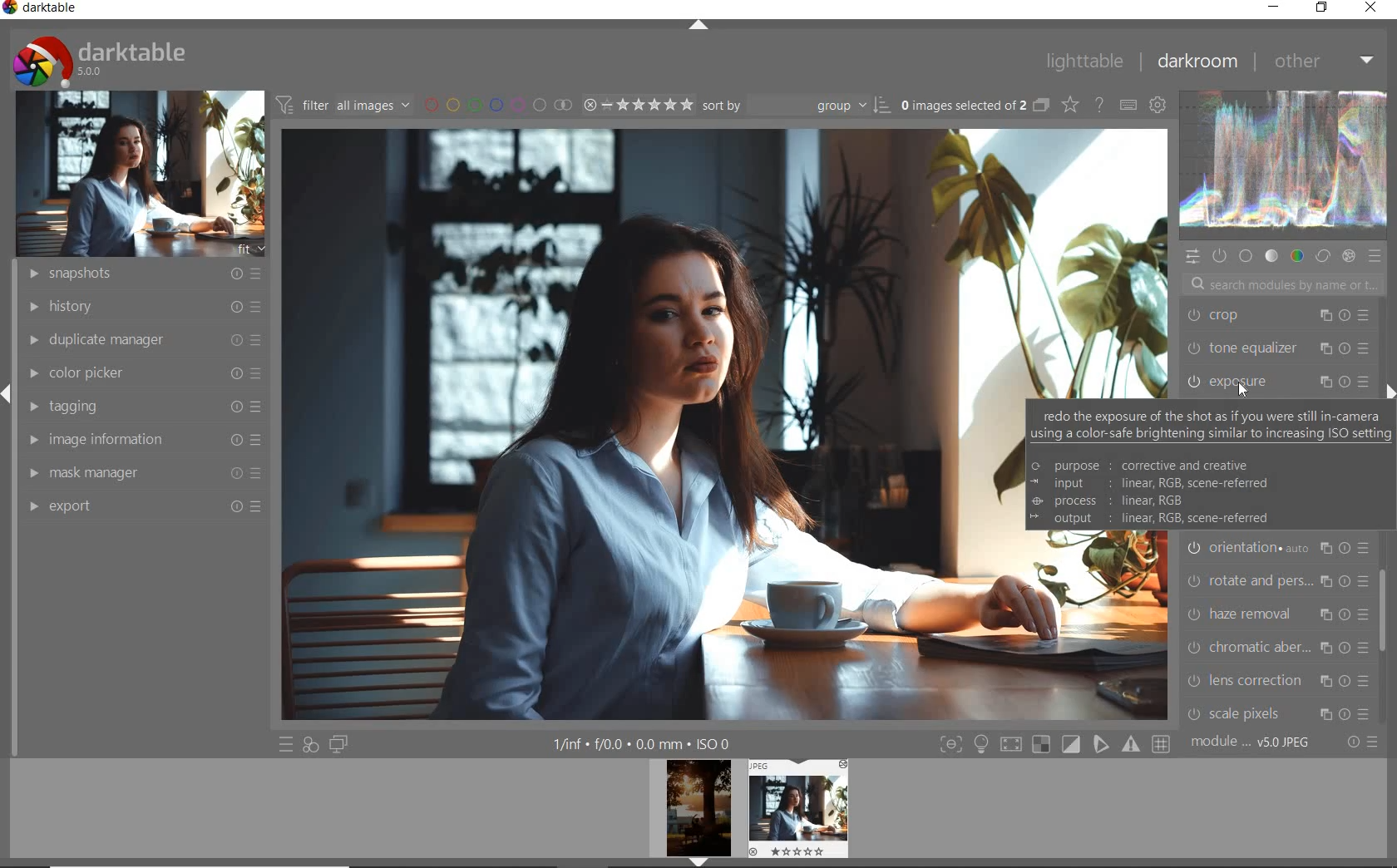  What do you see at coordinates (1129, 106) in the screenshot?
I see `DEFINE KEYBOARD SHORTCUT` at bounding box center [1129, 106].